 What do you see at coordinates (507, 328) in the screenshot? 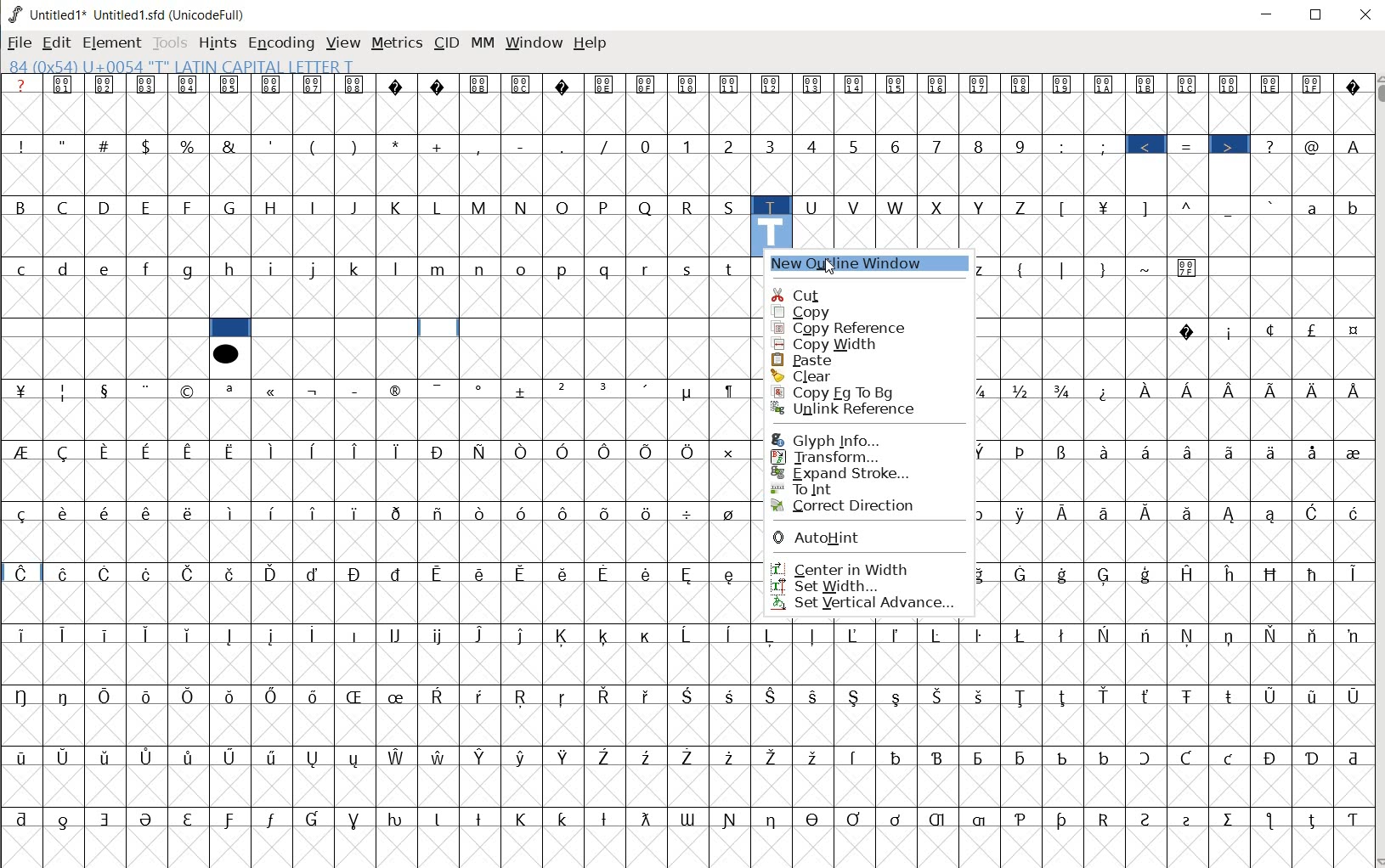
I see `empty spaces` at bounding box center [507, 328].